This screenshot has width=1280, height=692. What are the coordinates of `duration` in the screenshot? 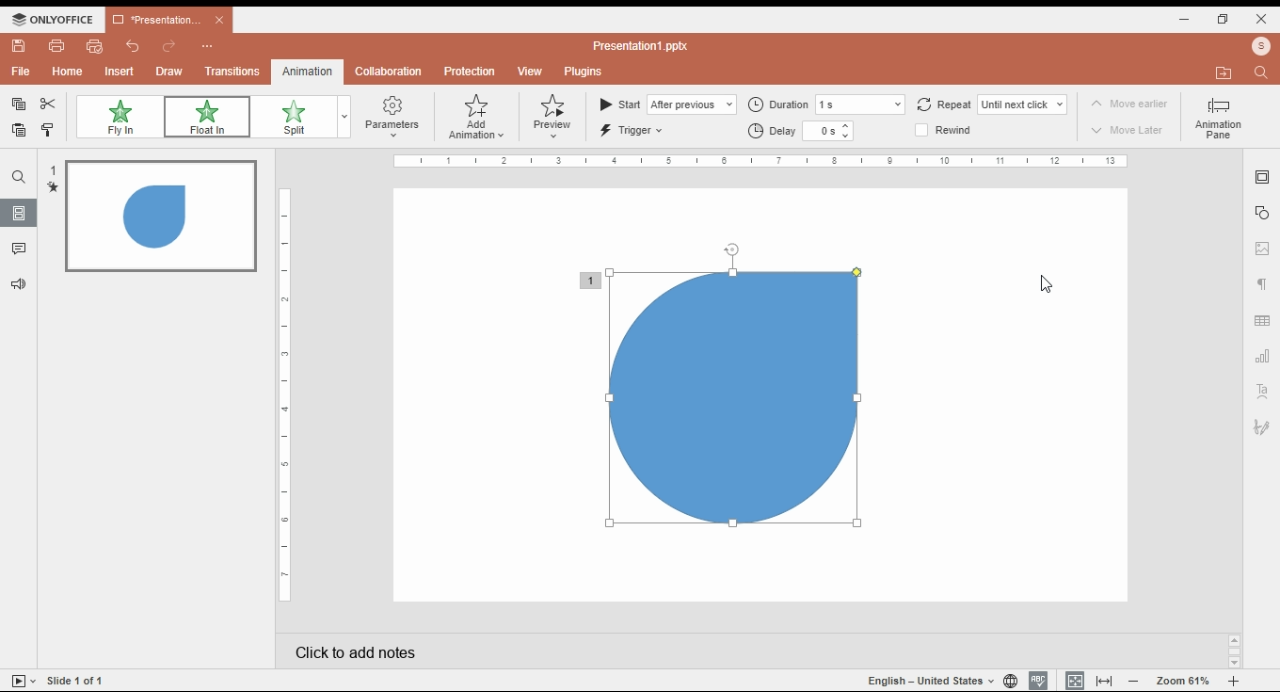 It's located at (826, 103).